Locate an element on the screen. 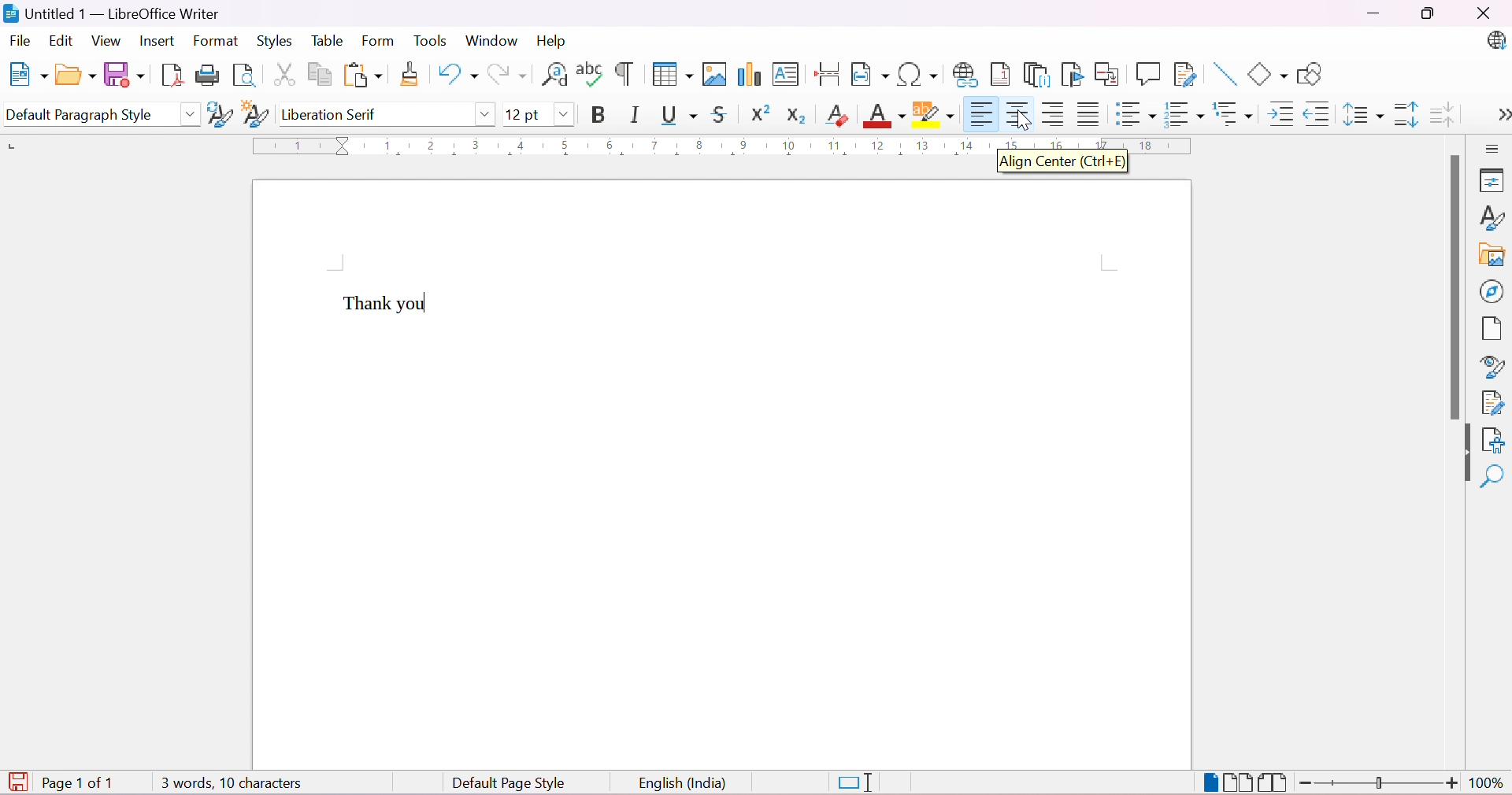 The height and width of the screenshot is (795, 1512). Basic Shapes is located at coordinates (1268, 76).